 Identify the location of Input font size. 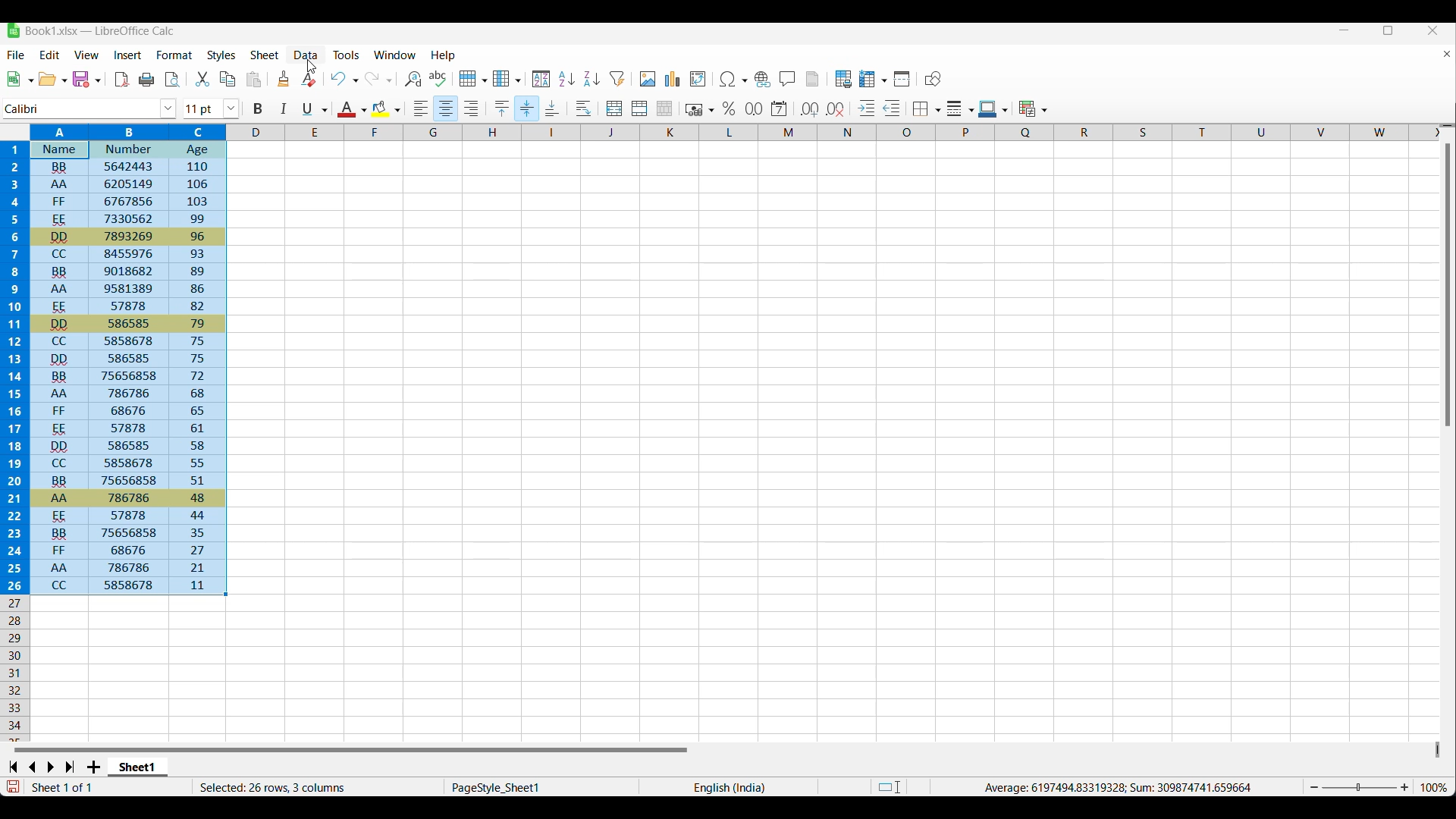
(202, 108).